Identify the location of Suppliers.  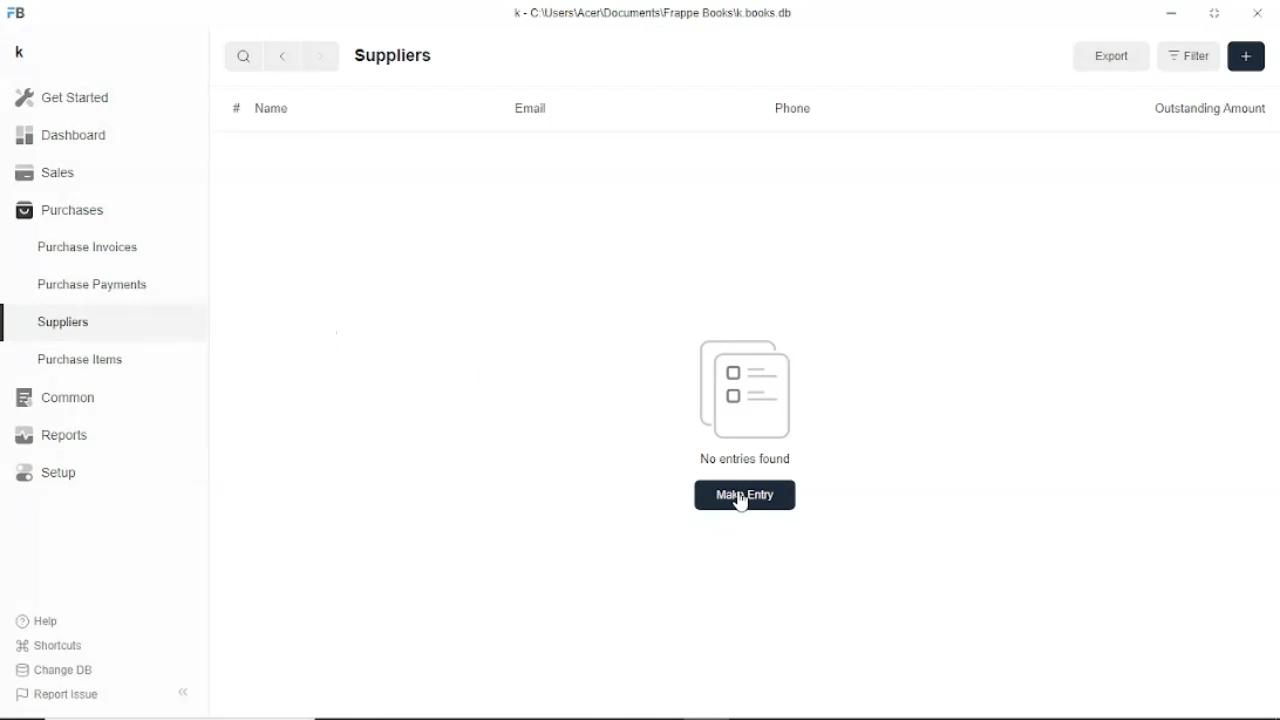
(394, 55).